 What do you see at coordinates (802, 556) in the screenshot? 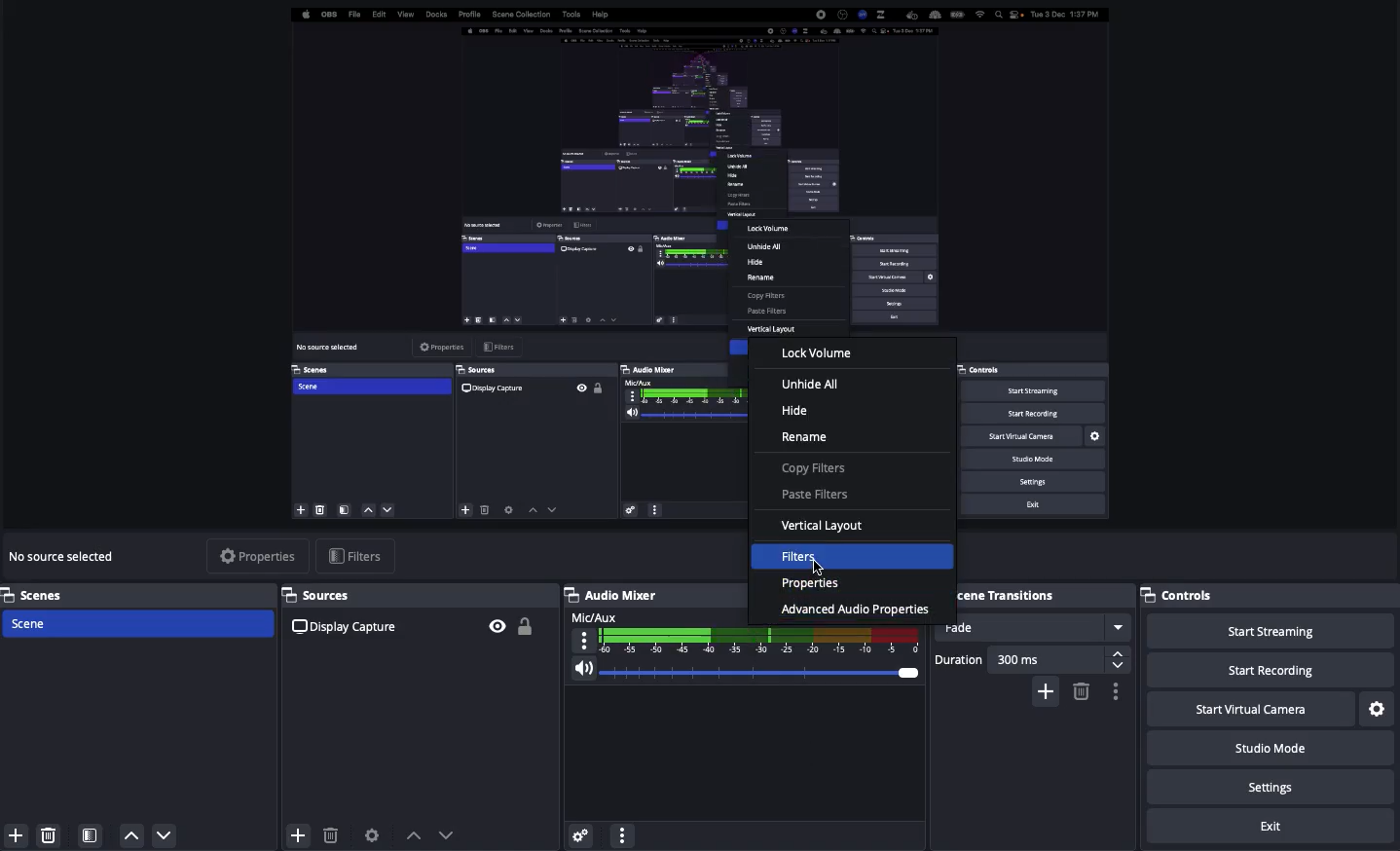
I see `Filters ` at bounding box center [802, 556].